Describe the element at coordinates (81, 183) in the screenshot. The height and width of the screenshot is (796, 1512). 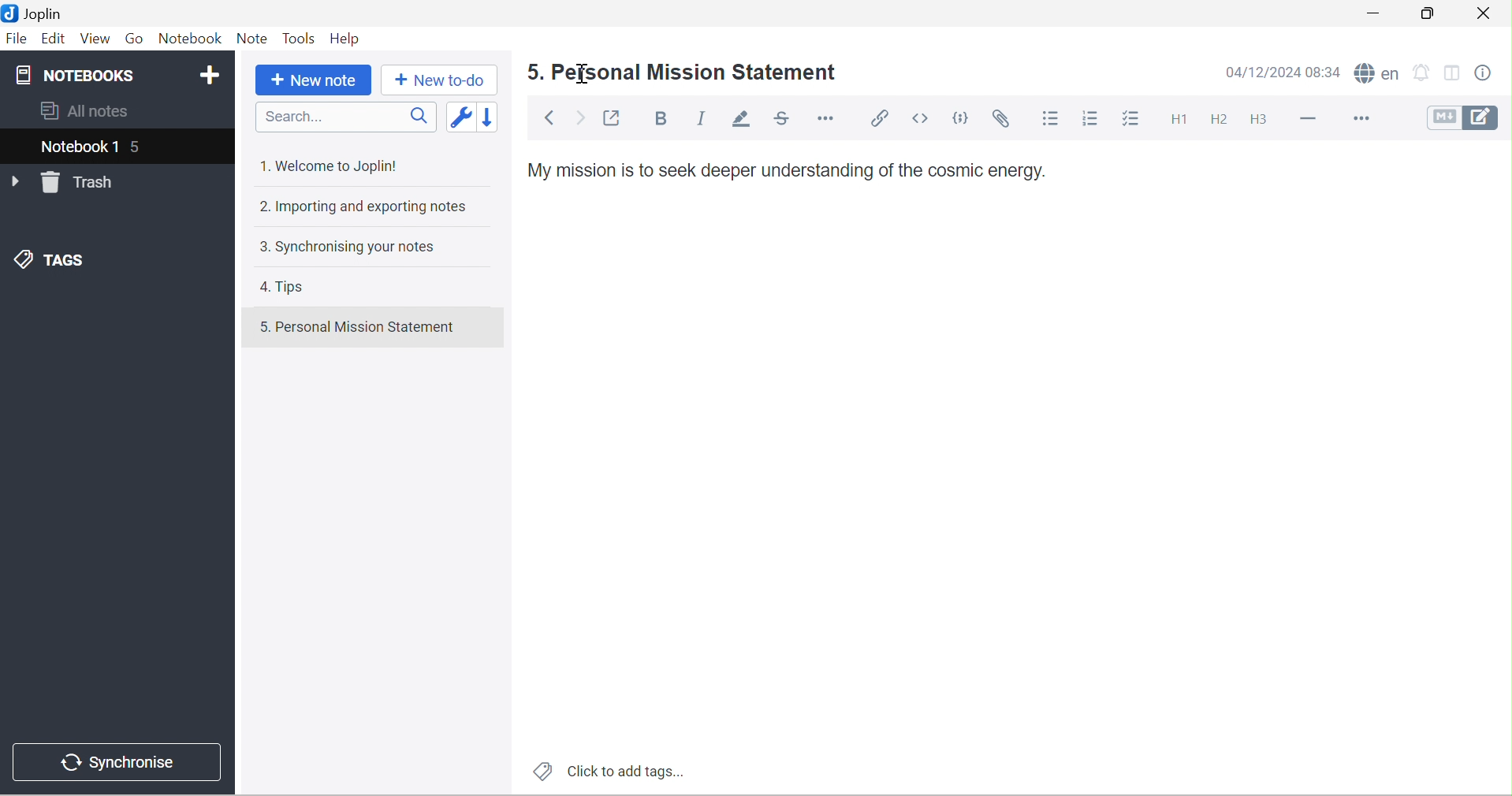
I see `Trash` at that location.